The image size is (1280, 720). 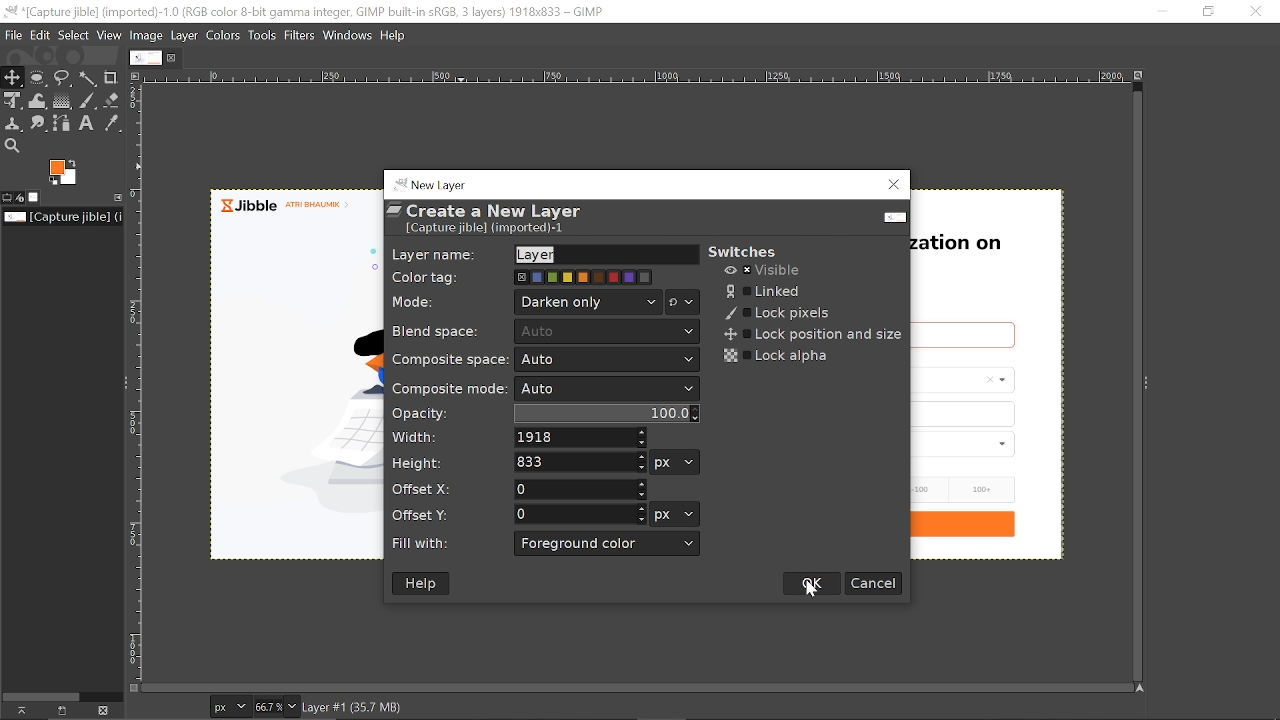 I want to click on offset , so click(x=426, y=486).